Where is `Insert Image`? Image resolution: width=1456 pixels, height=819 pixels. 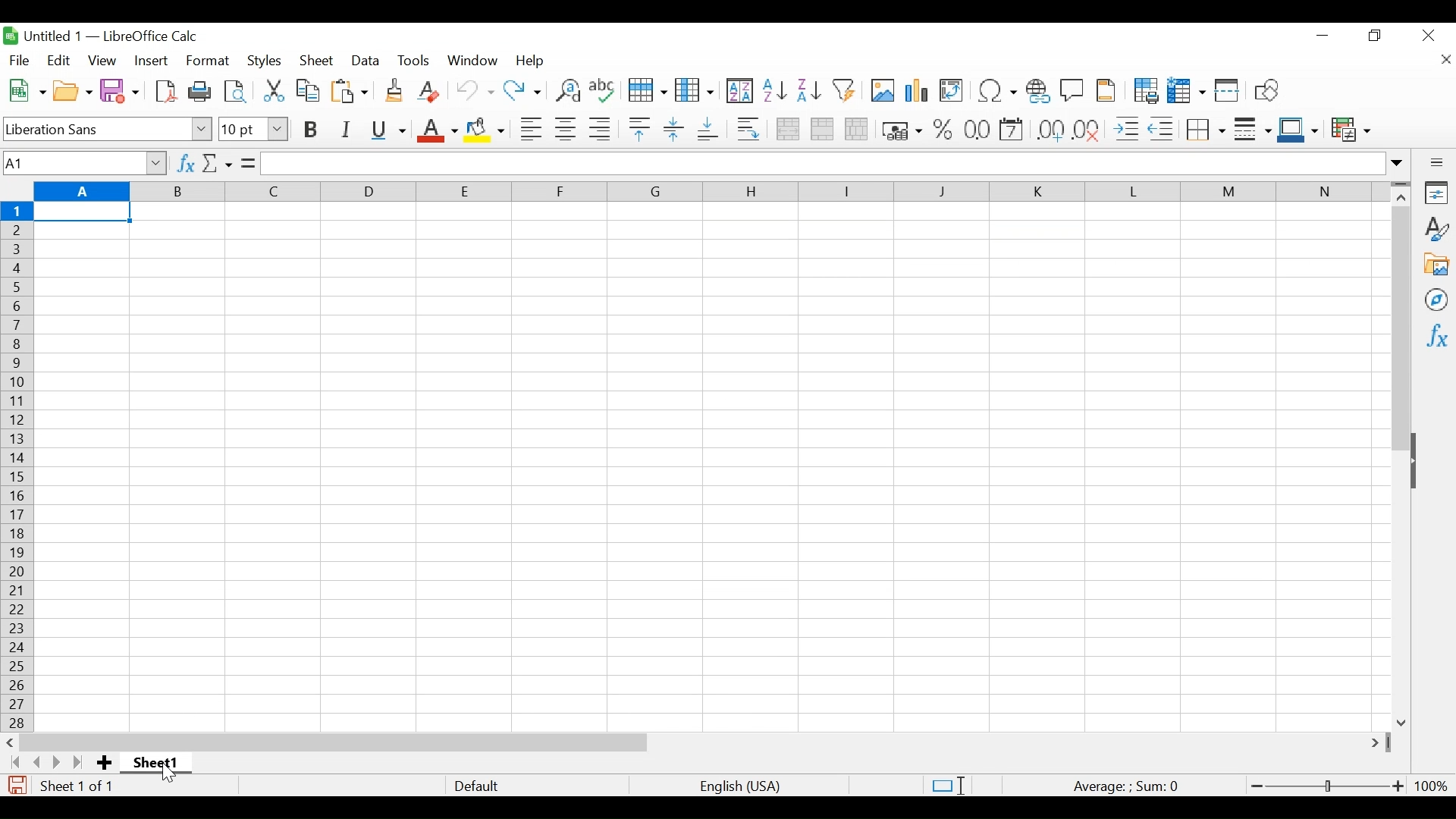 Insert Image is located at coordinates (880, 91).